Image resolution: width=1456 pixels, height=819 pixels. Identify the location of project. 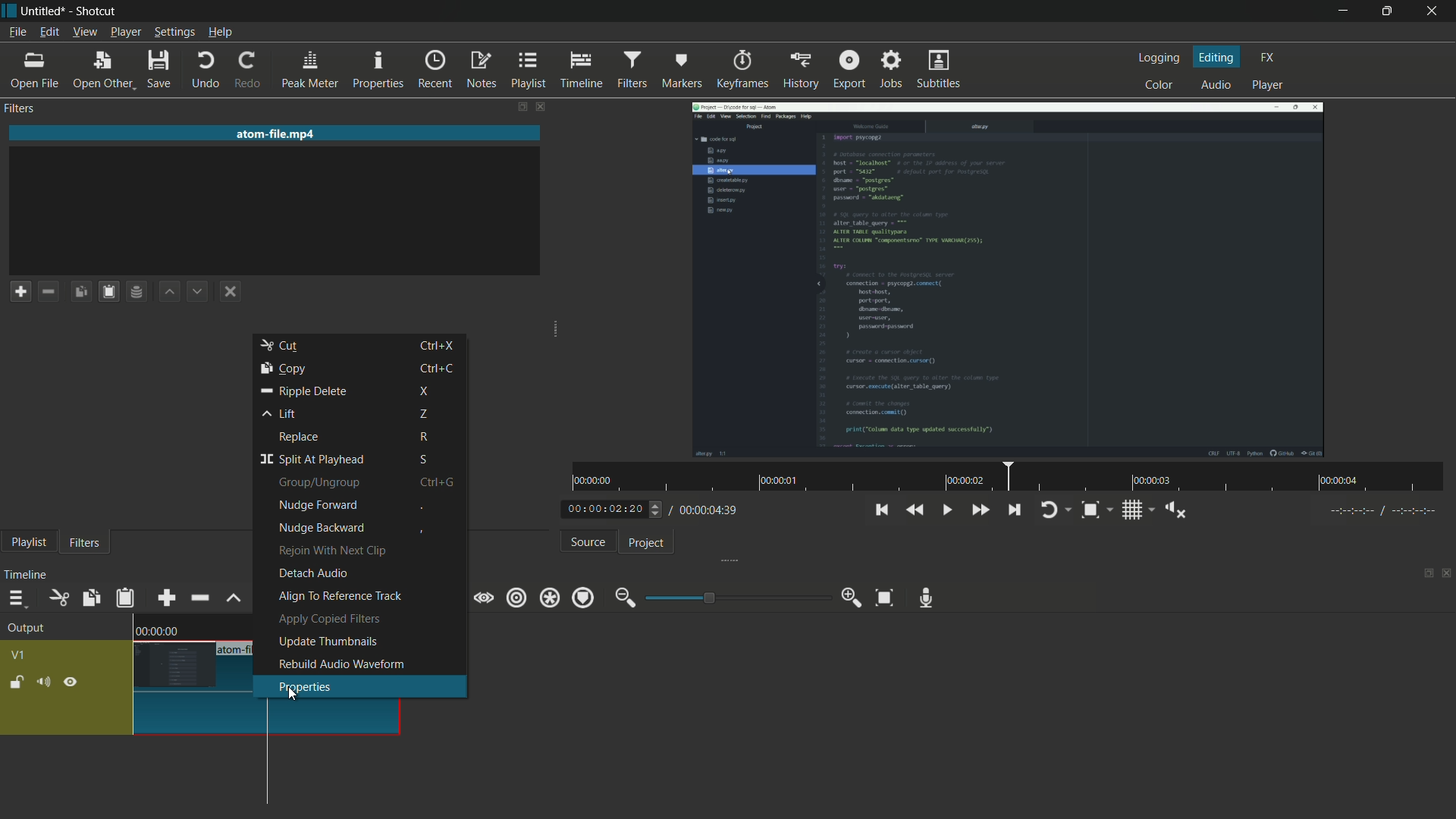
(648, 542).